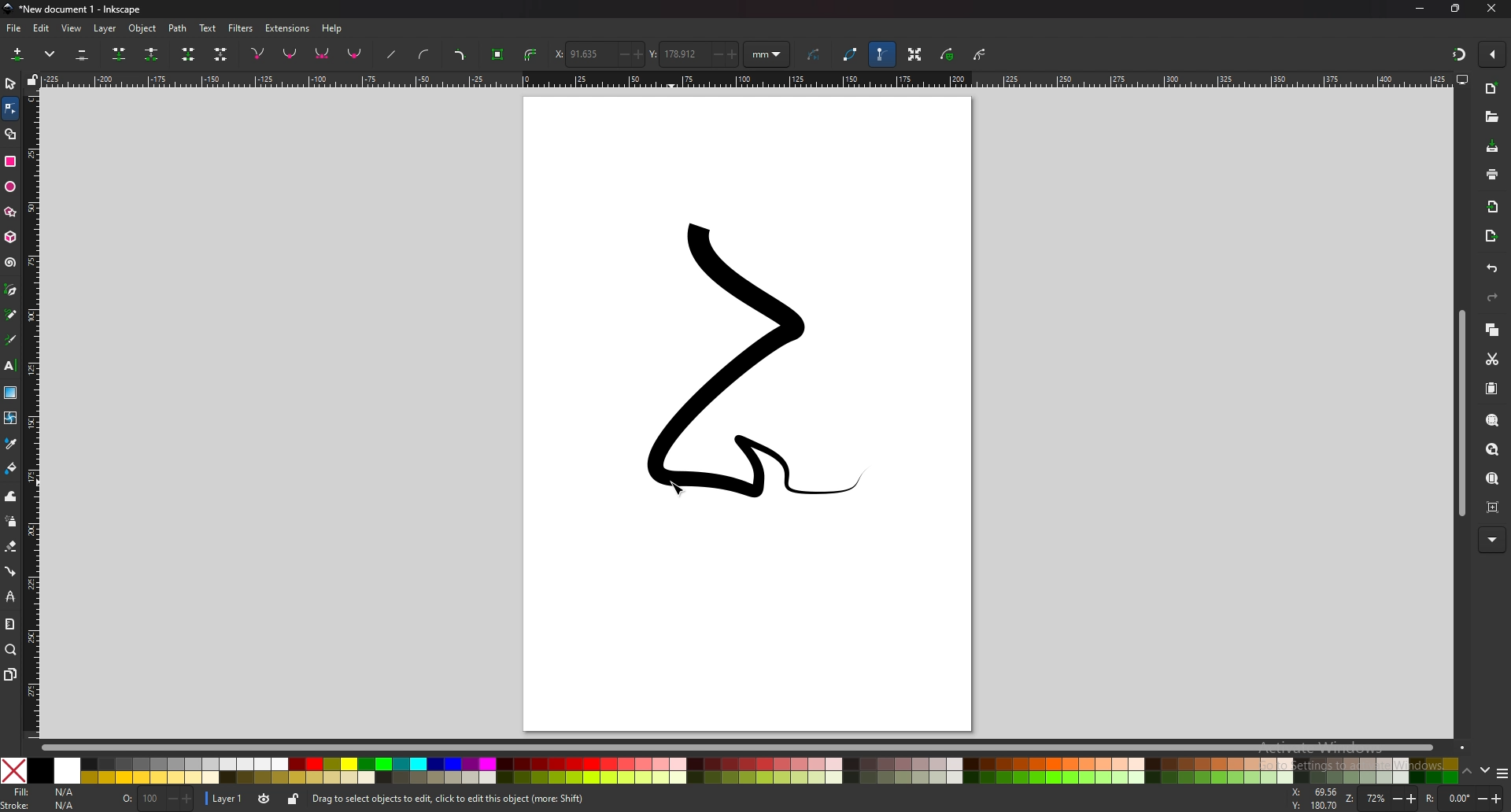 This screenshot has width=1511, height=812. What do you see at coordinates (120, 54) in the screenshot?
I see `join selected nodes` at bounding box center [120, 54].